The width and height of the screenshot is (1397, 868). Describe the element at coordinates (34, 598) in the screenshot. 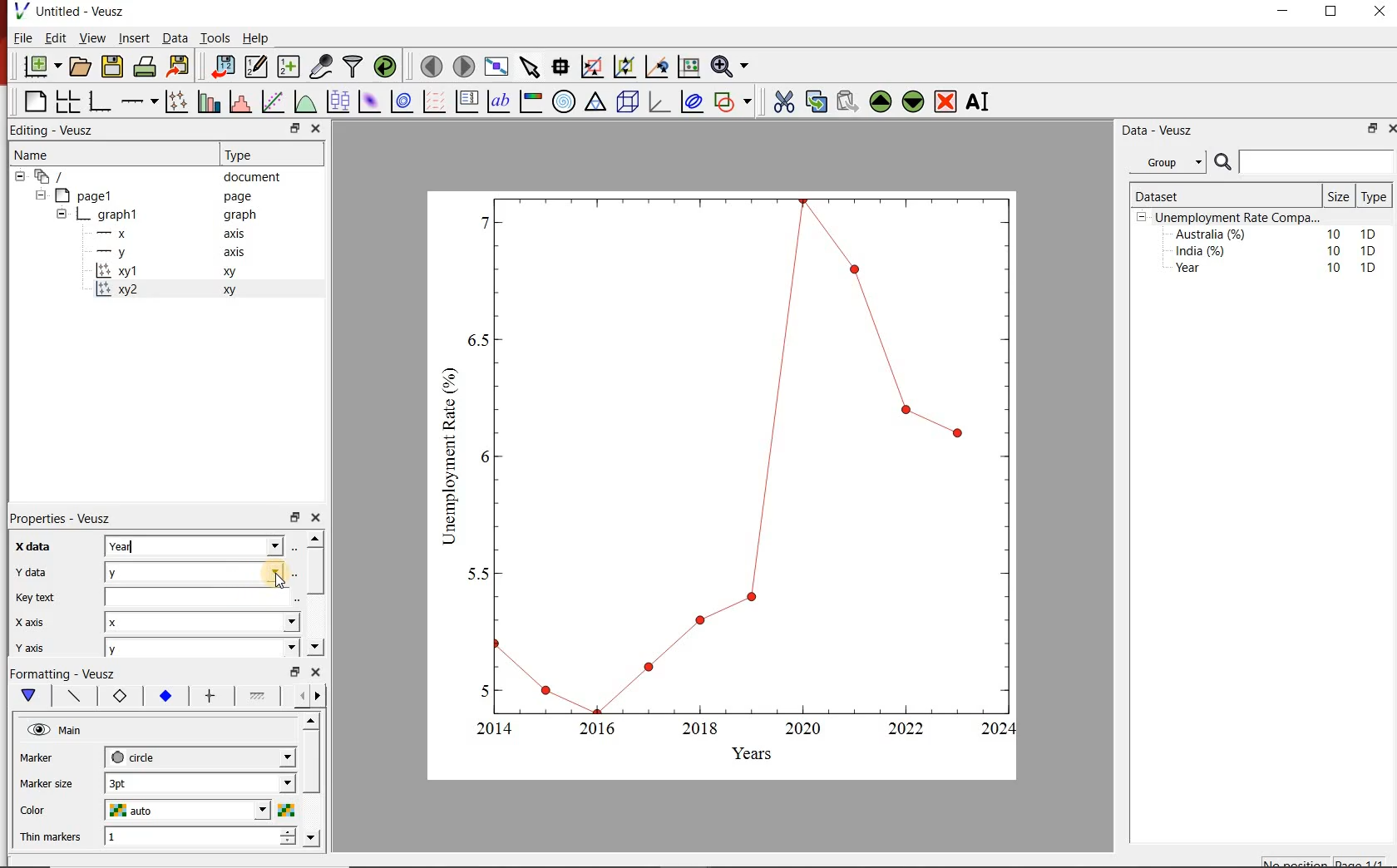

I see `key text` at that location.